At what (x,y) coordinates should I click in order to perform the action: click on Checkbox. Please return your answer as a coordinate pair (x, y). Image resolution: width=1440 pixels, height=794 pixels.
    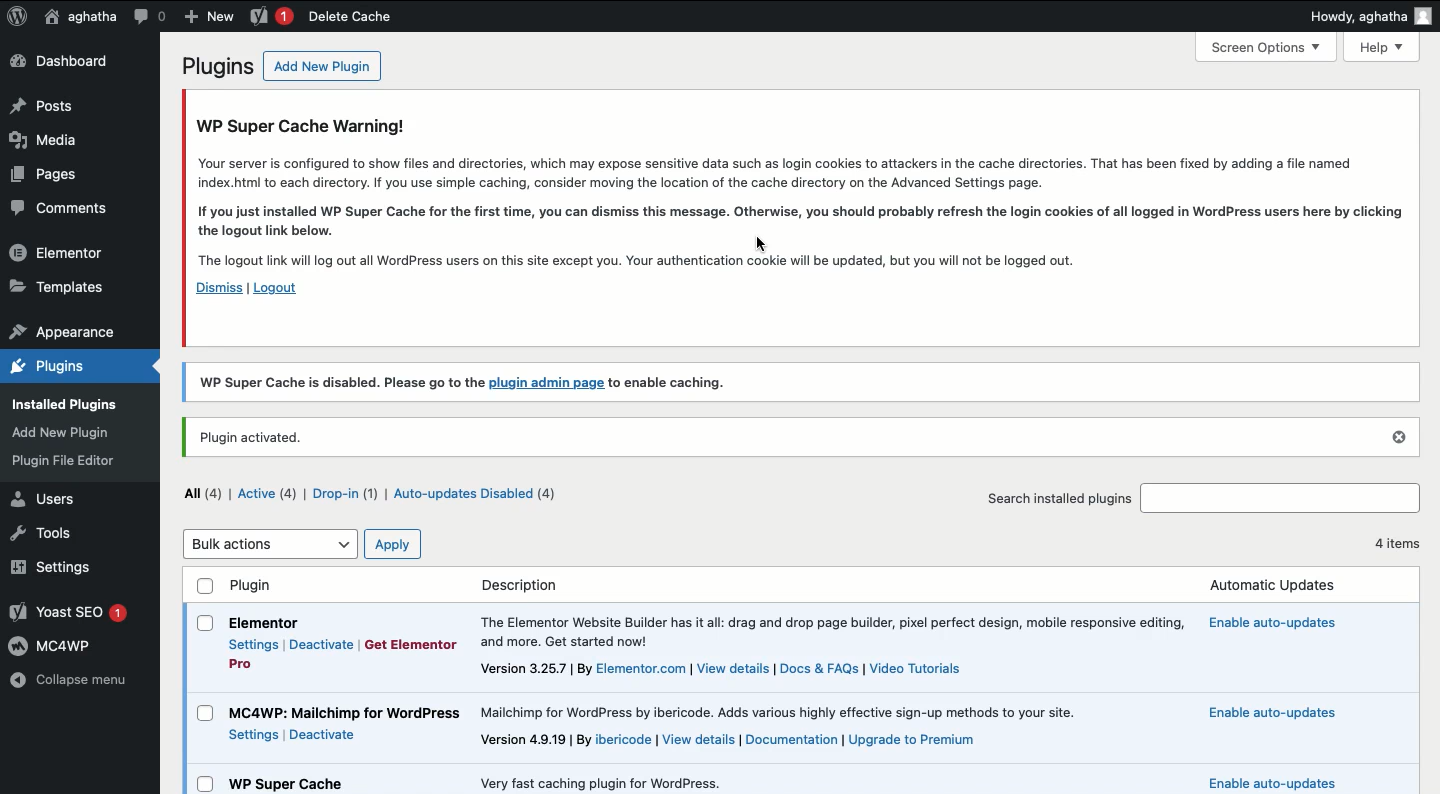
    Looking at the image, I should click on (206, 588).